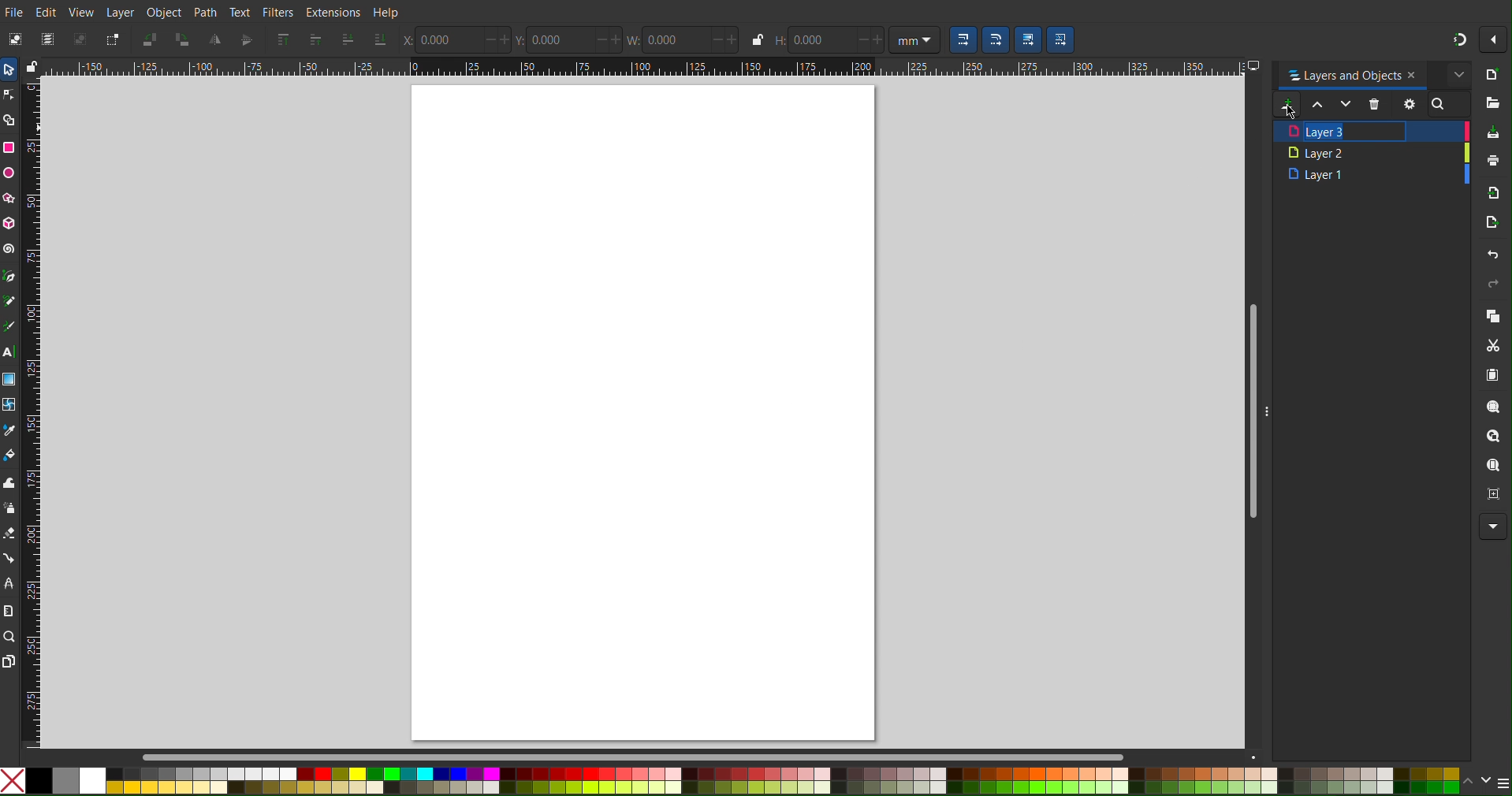  I want to click on Rectangle, so click(11, 145).